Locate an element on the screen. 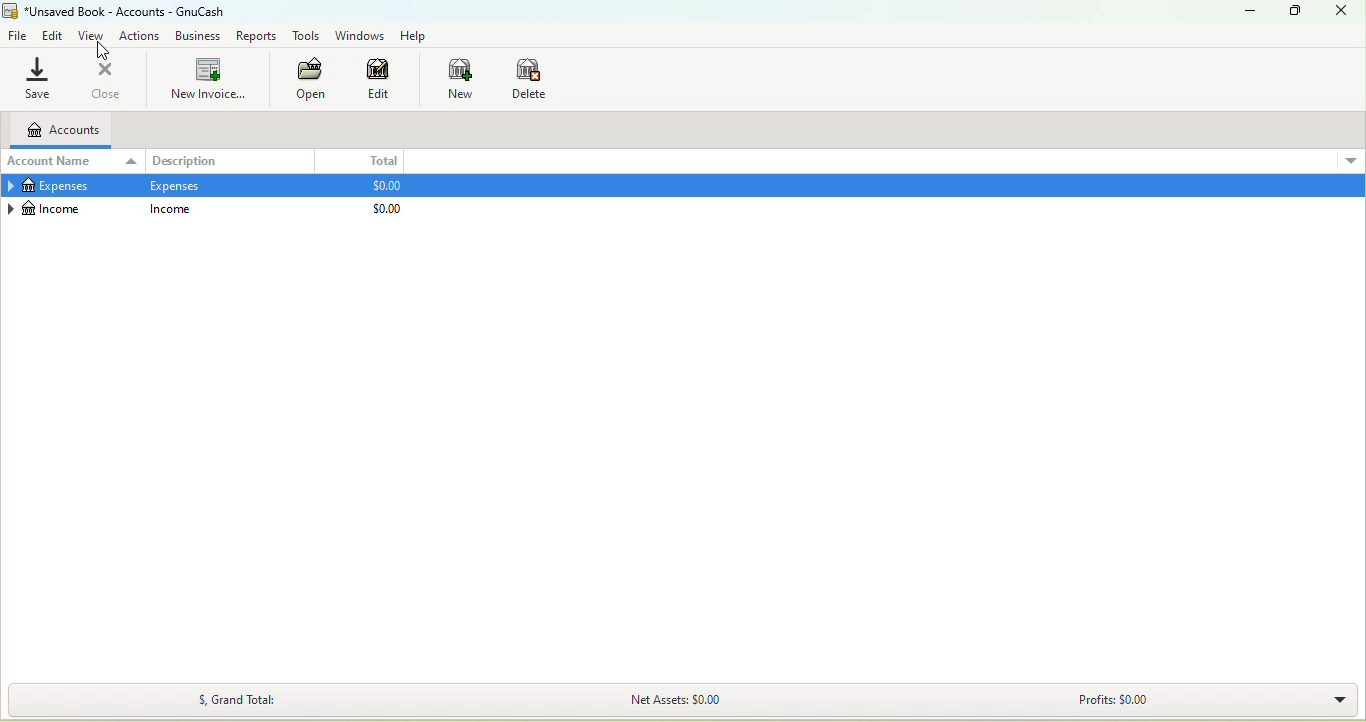  Summary bar is located at coordinates (1332, 702).